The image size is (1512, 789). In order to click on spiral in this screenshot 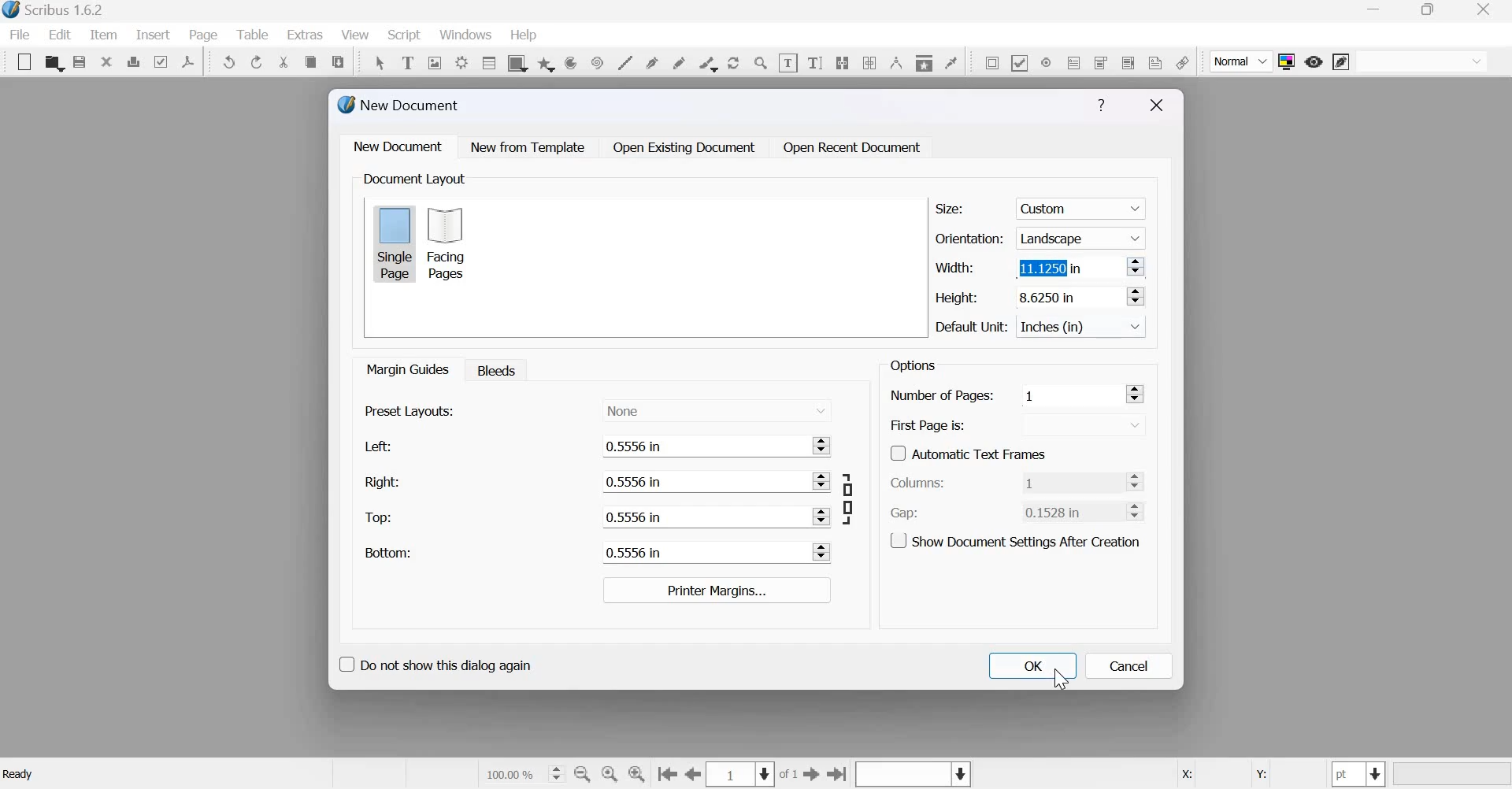, I will do `click(595, 61)`.